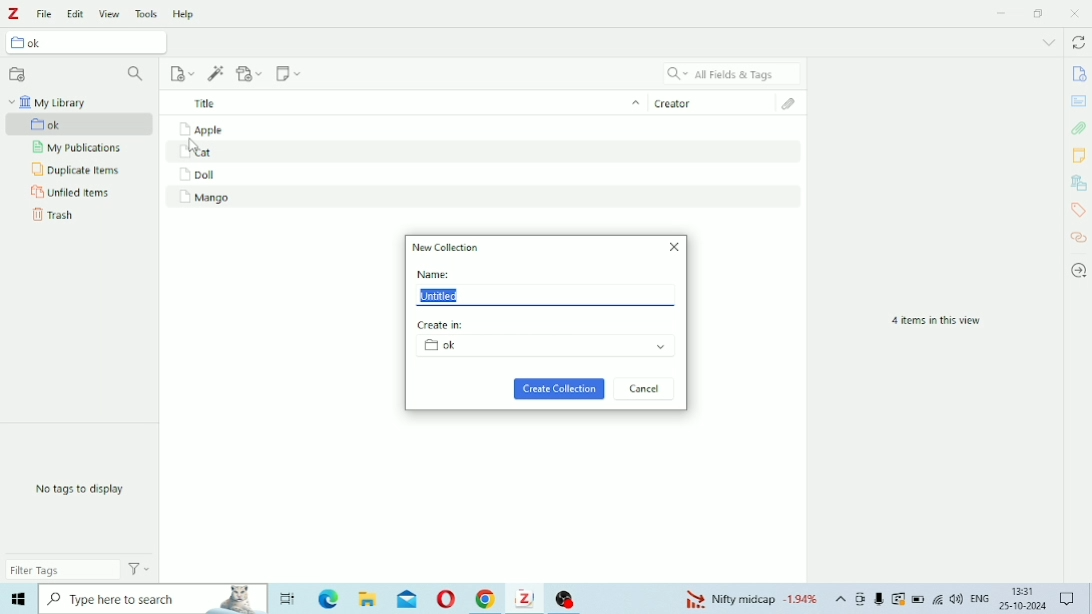  Describe the element at coordinates (841, 599) in the screenshot. I see `Show hidden icons` at that location.